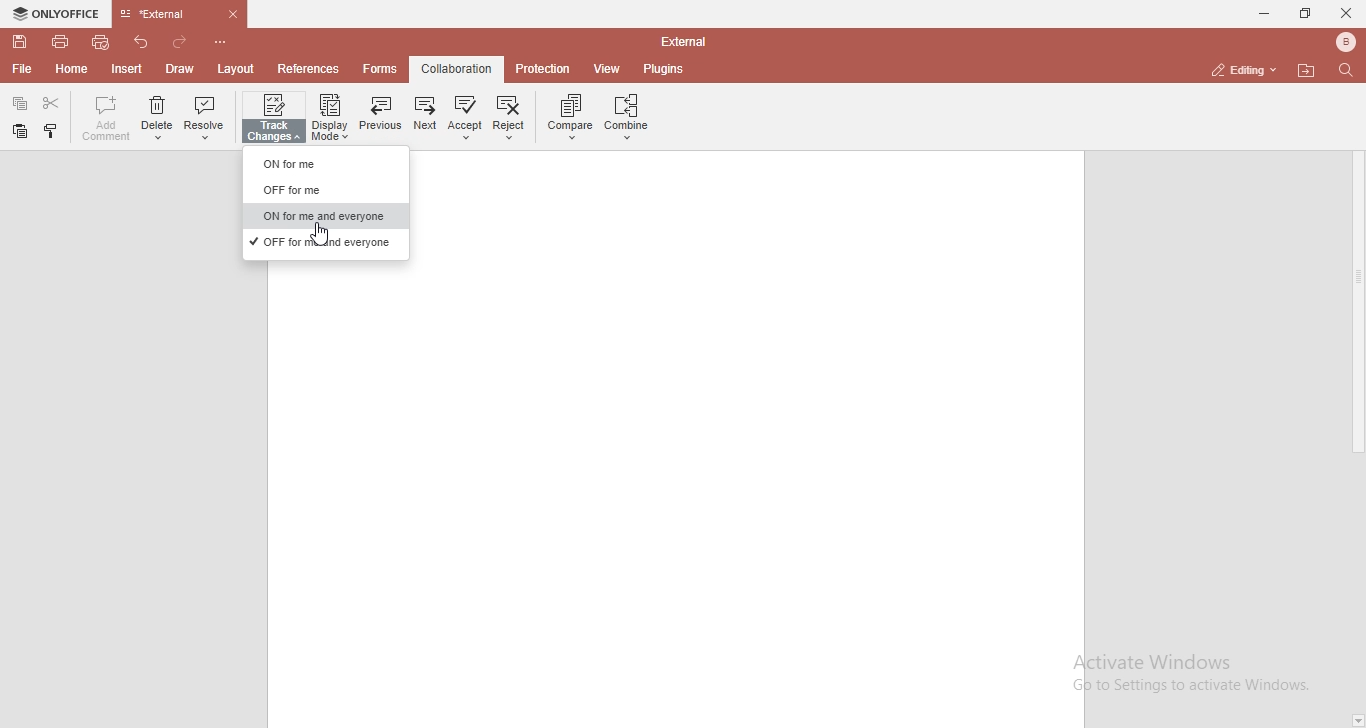 The width and height of the screenshot is (1366, 728). Describe the element at coordinates (20, 42) in the screenshot. I see `save` at that location.